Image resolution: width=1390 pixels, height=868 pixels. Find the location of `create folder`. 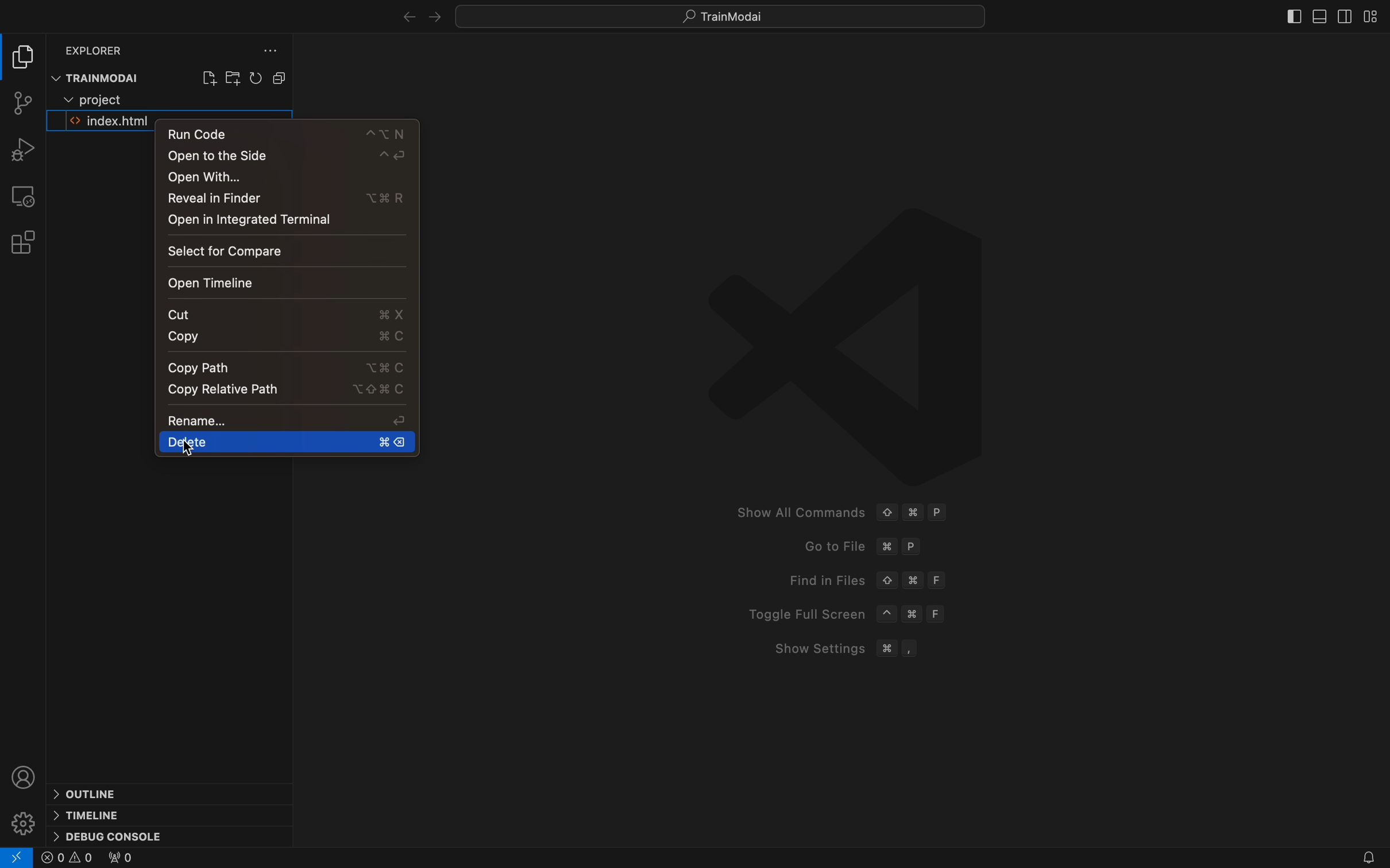

create folder is located at coordinates (232, 77).